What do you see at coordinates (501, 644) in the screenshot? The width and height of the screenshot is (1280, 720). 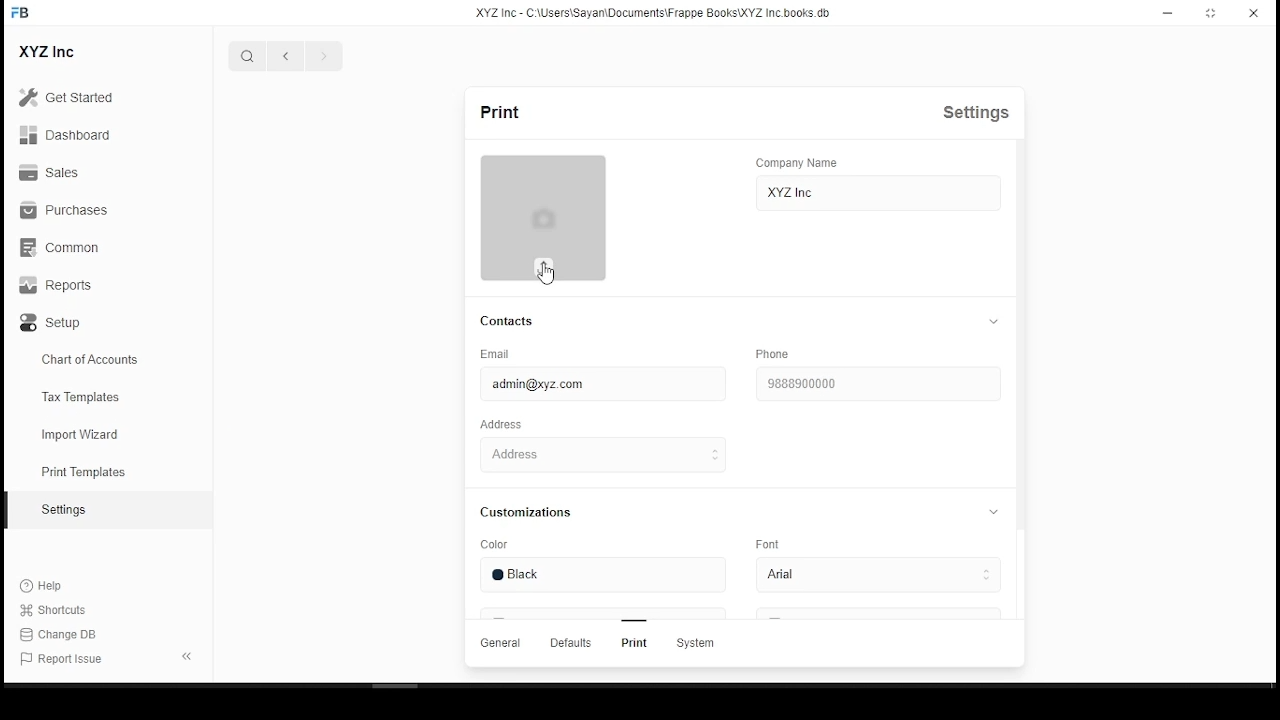 I see `General` at bounding box center [501, 644].